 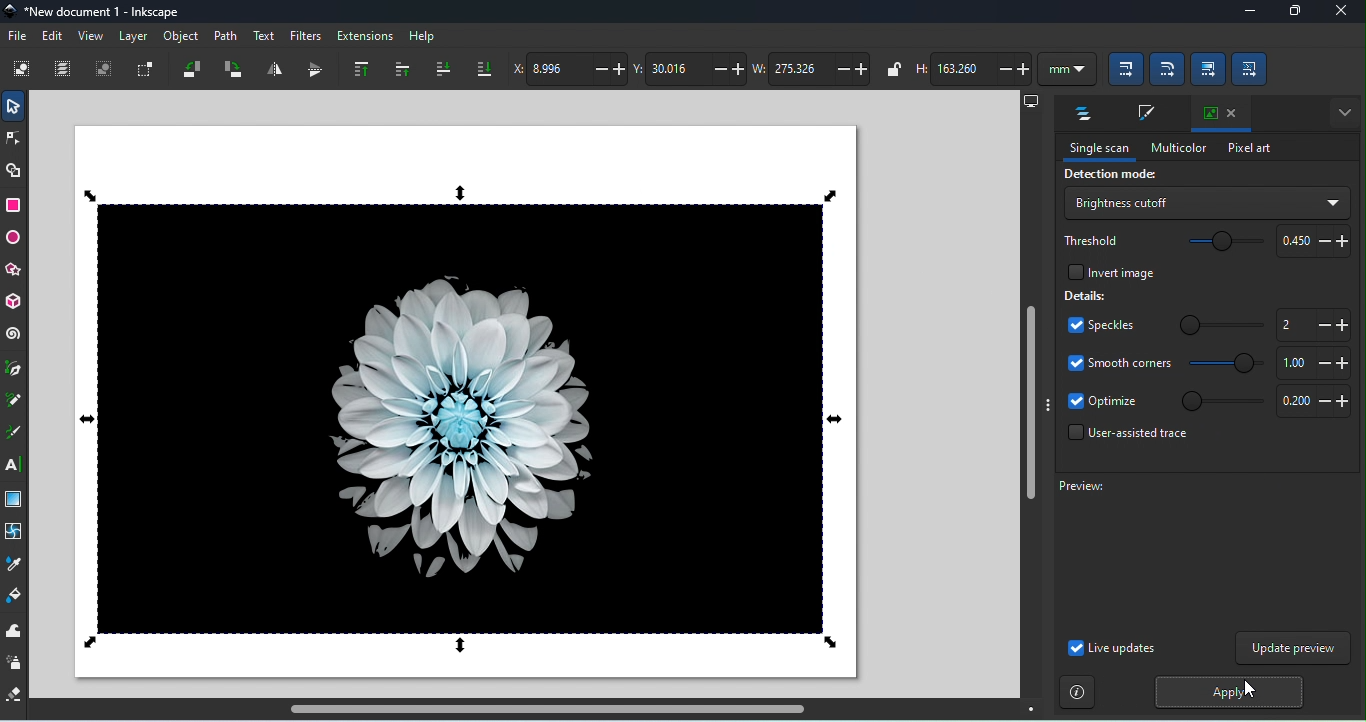 I want to click on toggle panel, so click(x=1048, y=404).